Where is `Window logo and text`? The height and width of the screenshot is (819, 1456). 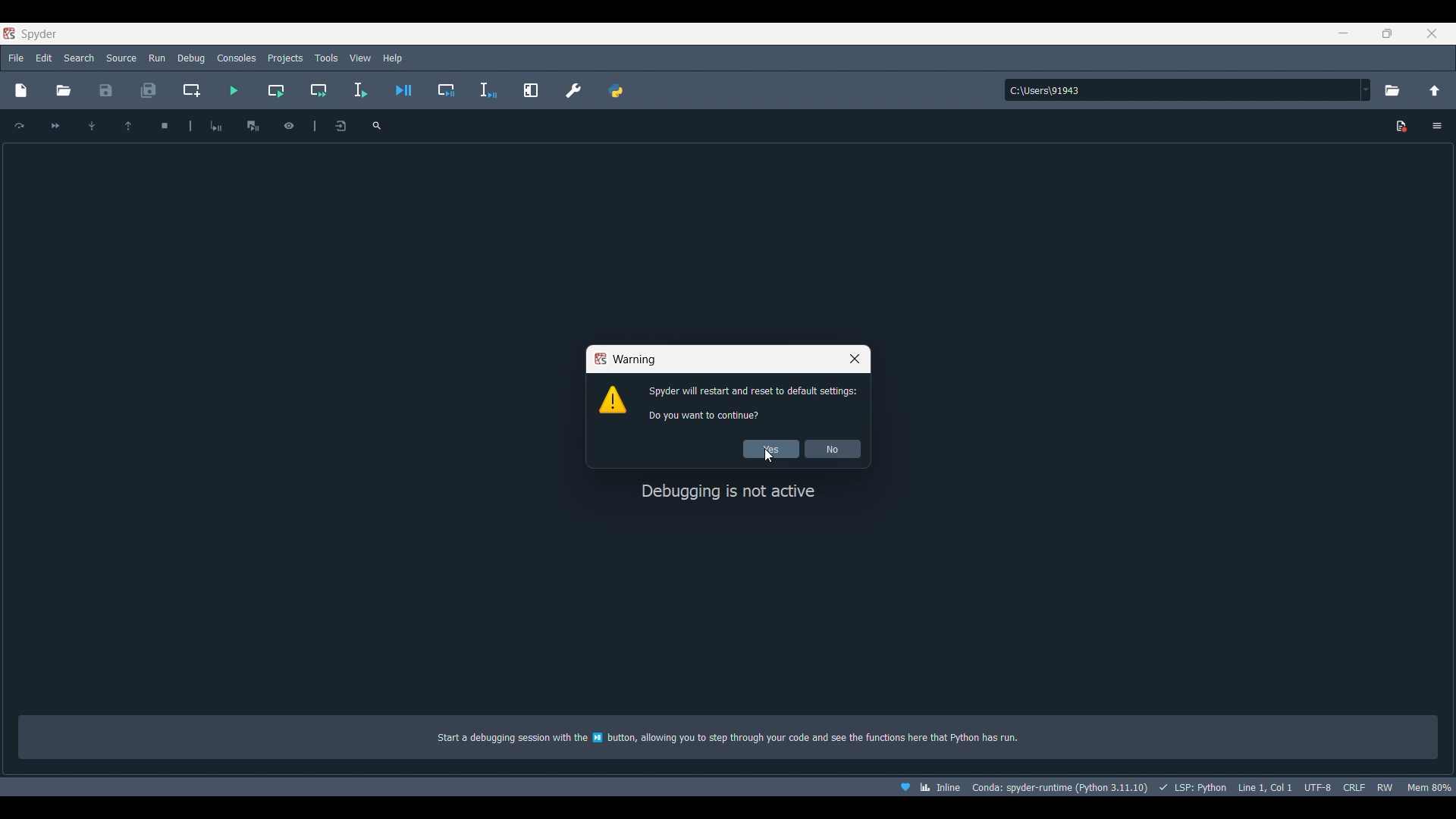 Window logo and text is located at coordinates (726, 403).